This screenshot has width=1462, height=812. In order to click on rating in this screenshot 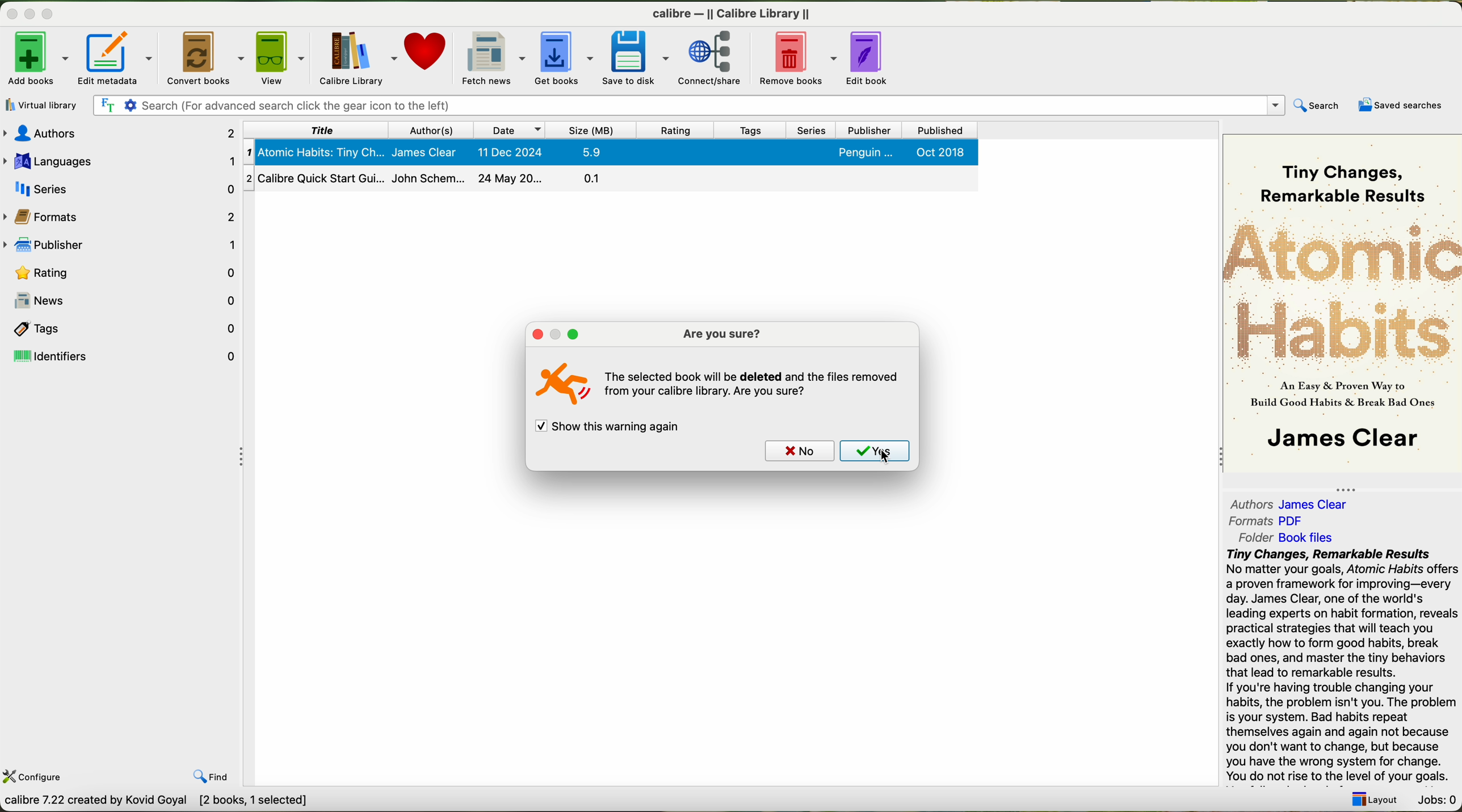, I will do `click(124, 272)`.